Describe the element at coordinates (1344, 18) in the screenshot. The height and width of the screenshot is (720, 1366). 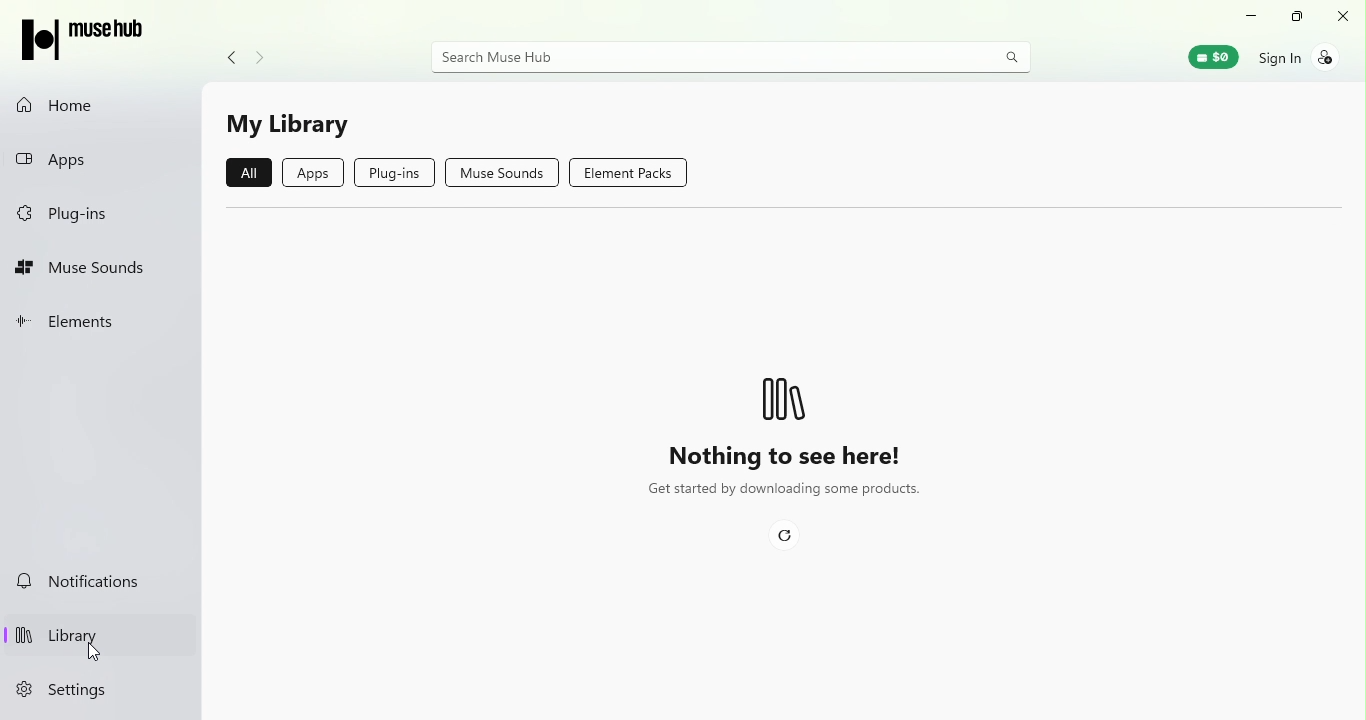
I see `Close` at that location.